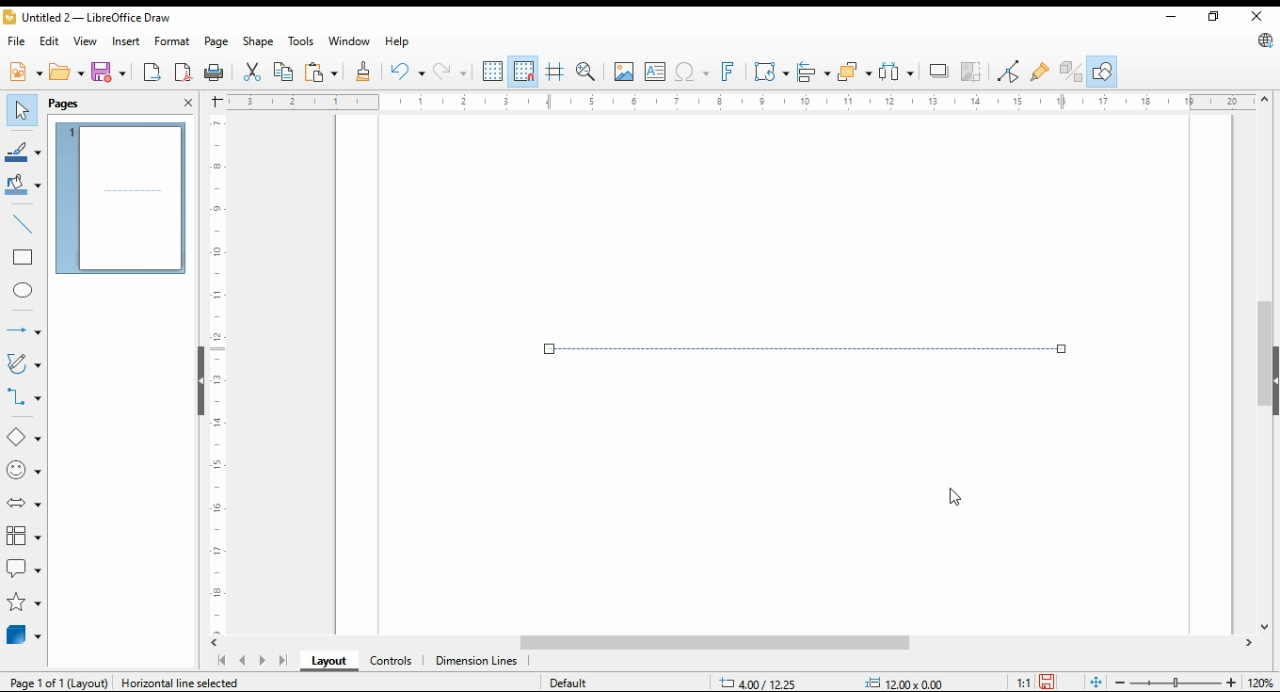 The image size is (1280, 692). I want to click on default, so click(567, 682).